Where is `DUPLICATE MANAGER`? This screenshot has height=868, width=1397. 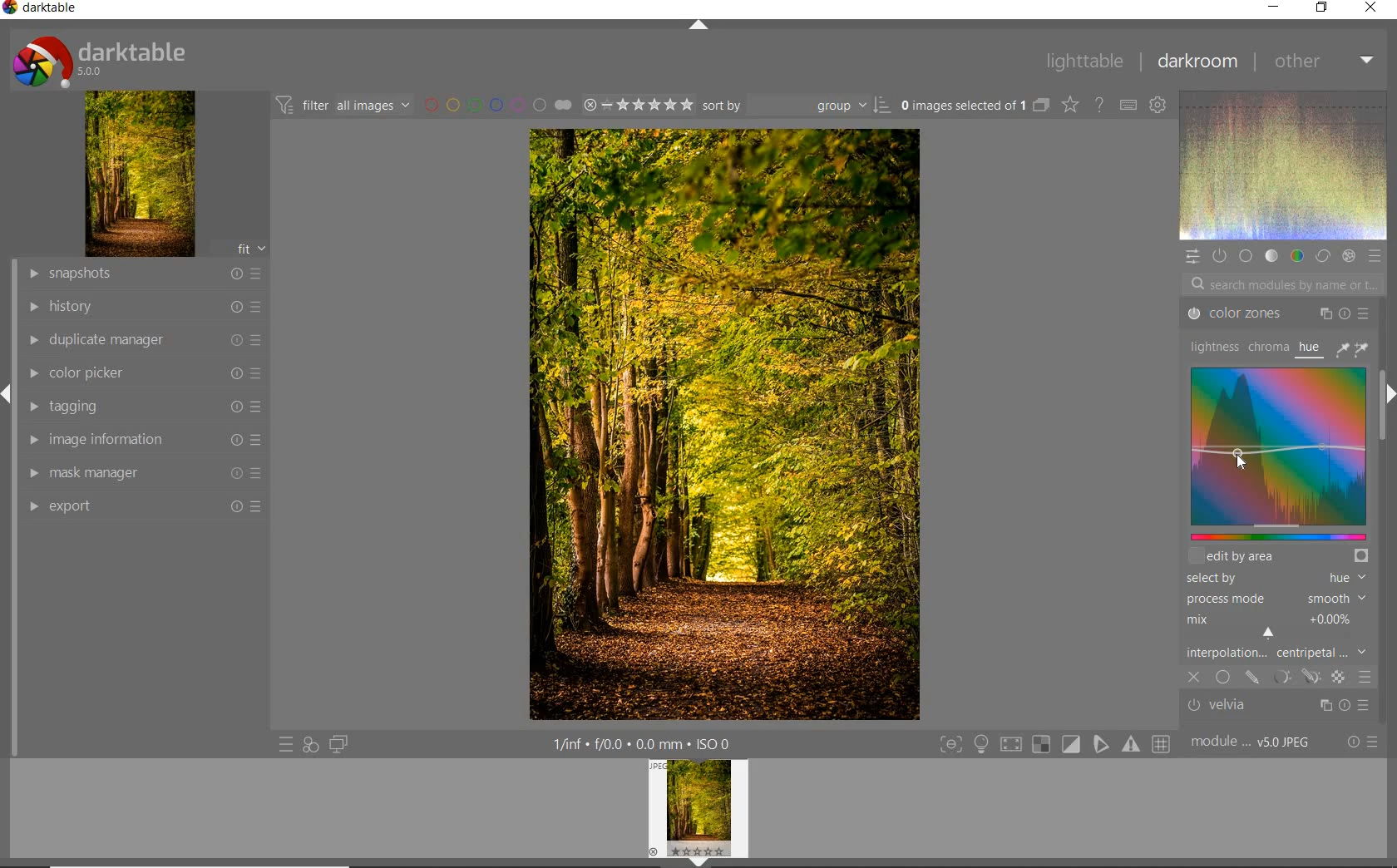
DUPLICATE MANAGER is located at coordinates (143, 338).